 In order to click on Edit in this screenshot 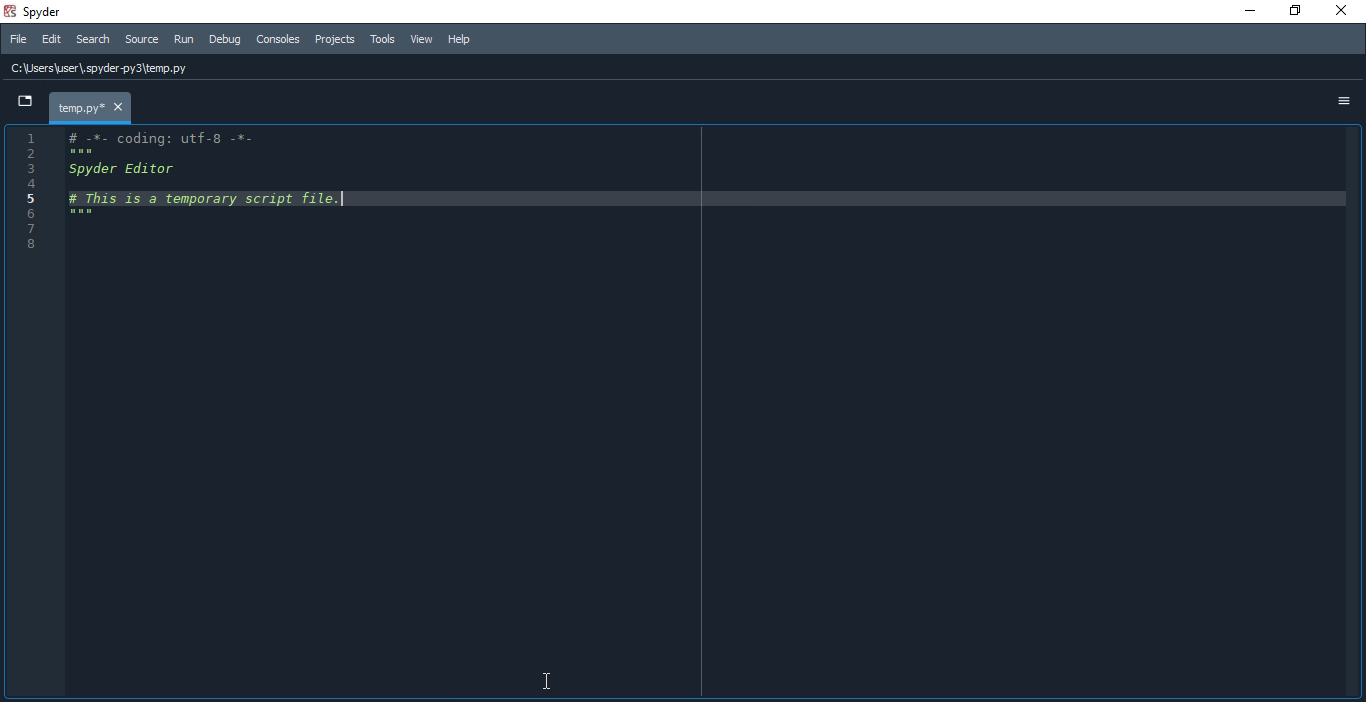, I will do `click(50, 41)`.